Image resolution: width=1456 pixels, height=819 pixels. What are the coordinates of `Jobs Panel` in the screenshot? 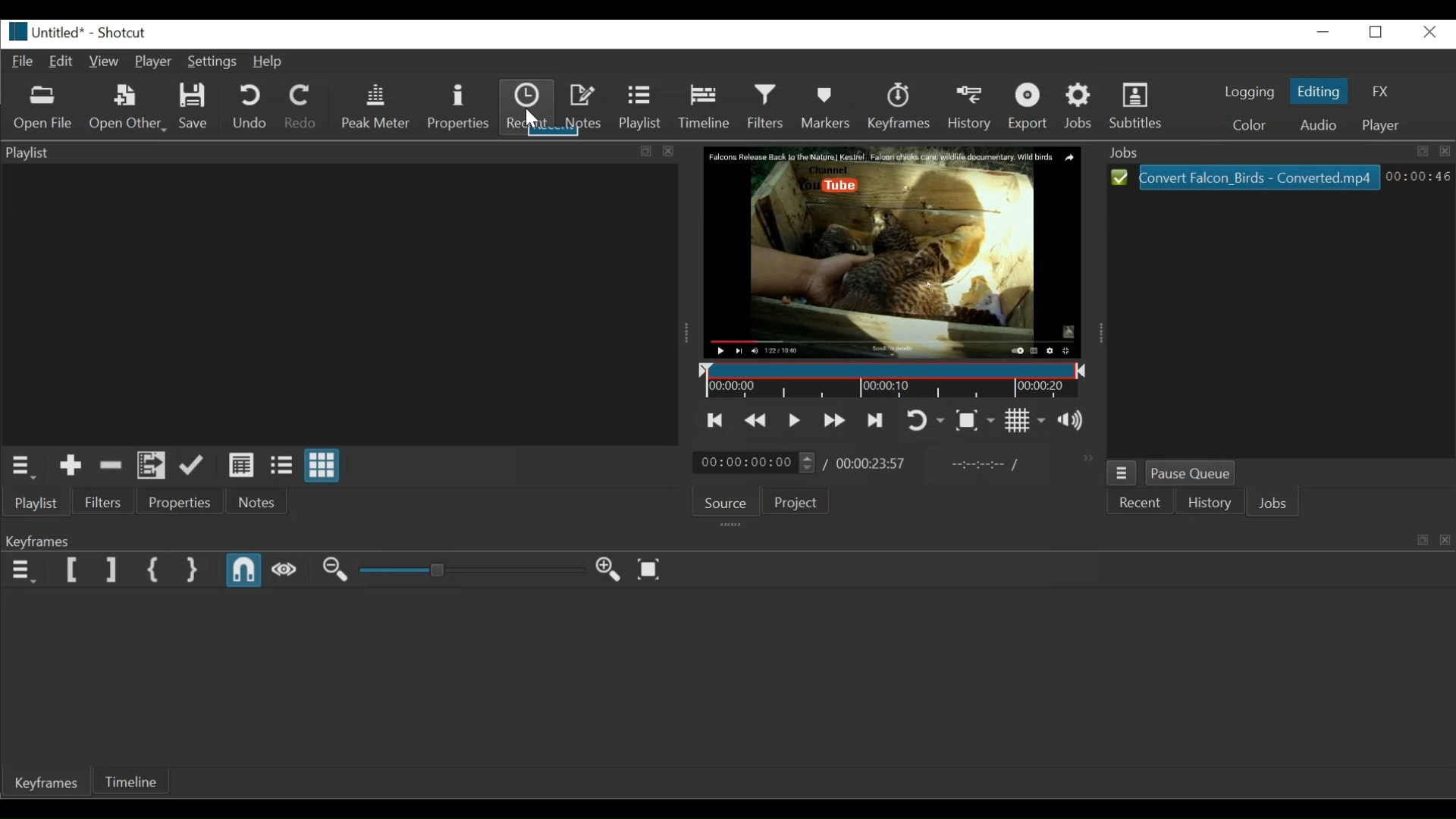 It's located at (1272, 152).